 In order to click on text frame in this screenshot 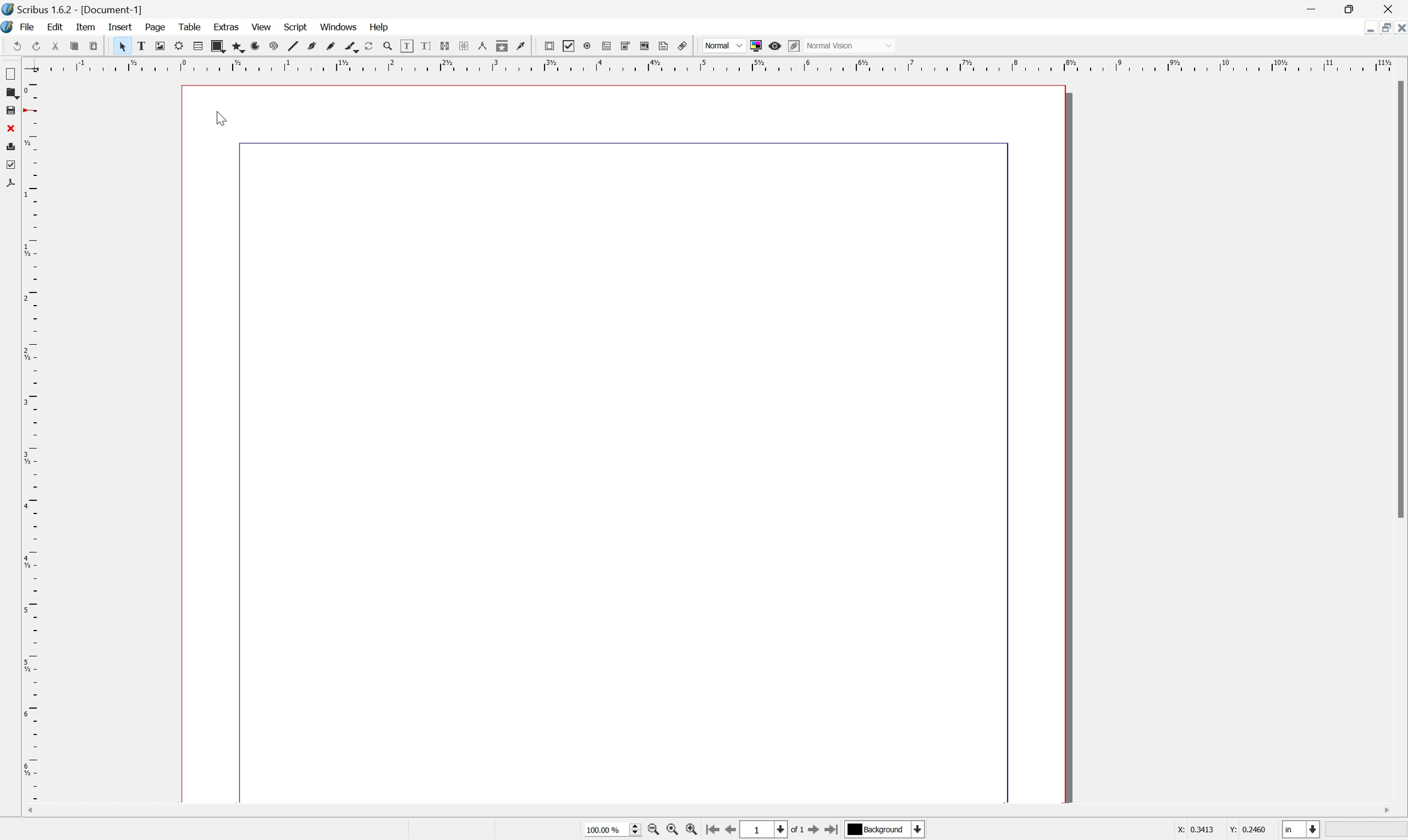, I will do `click(273, 46)`.